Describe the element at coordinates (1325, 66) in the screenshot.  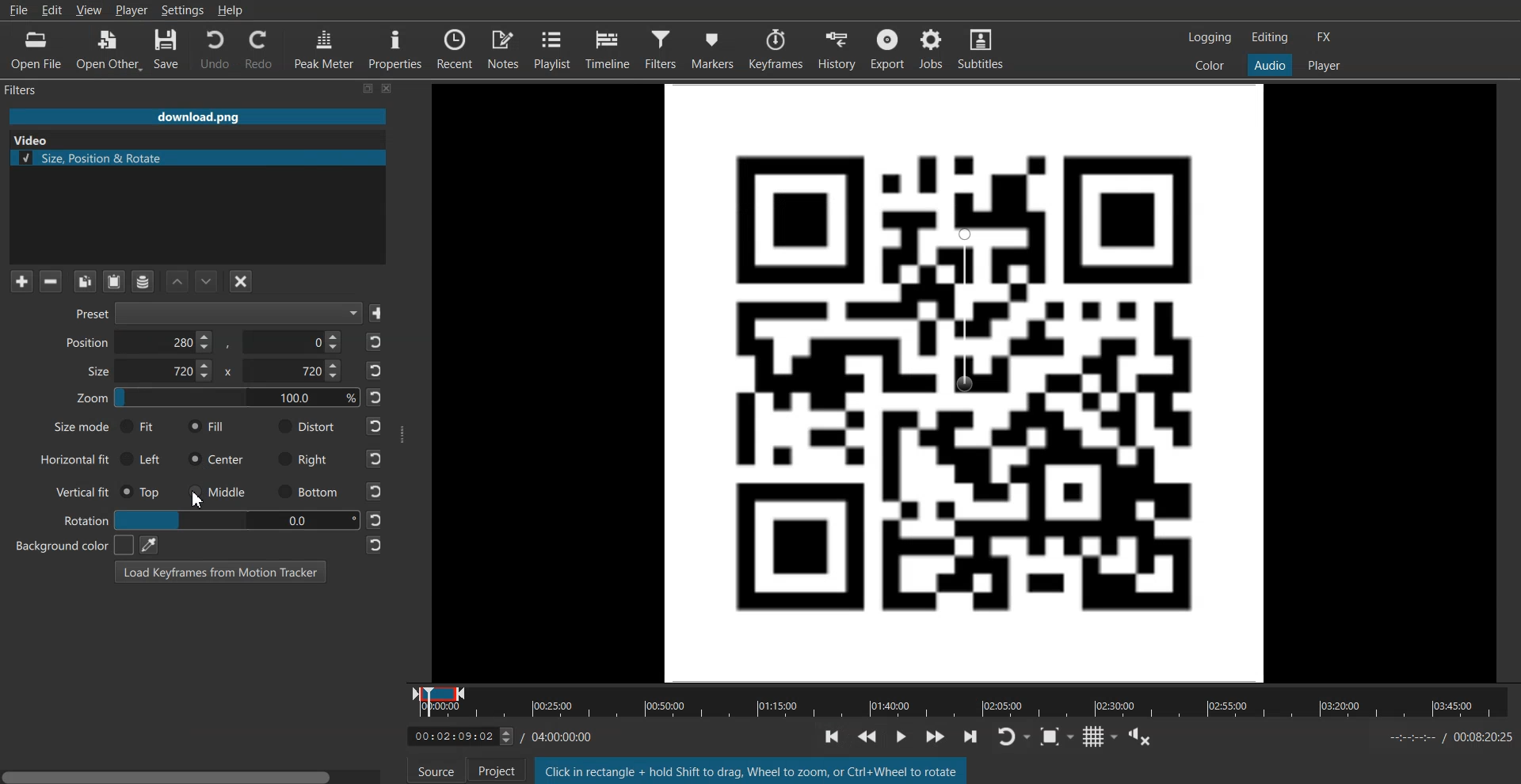
I see `Switch to the Player one layout` at that location.